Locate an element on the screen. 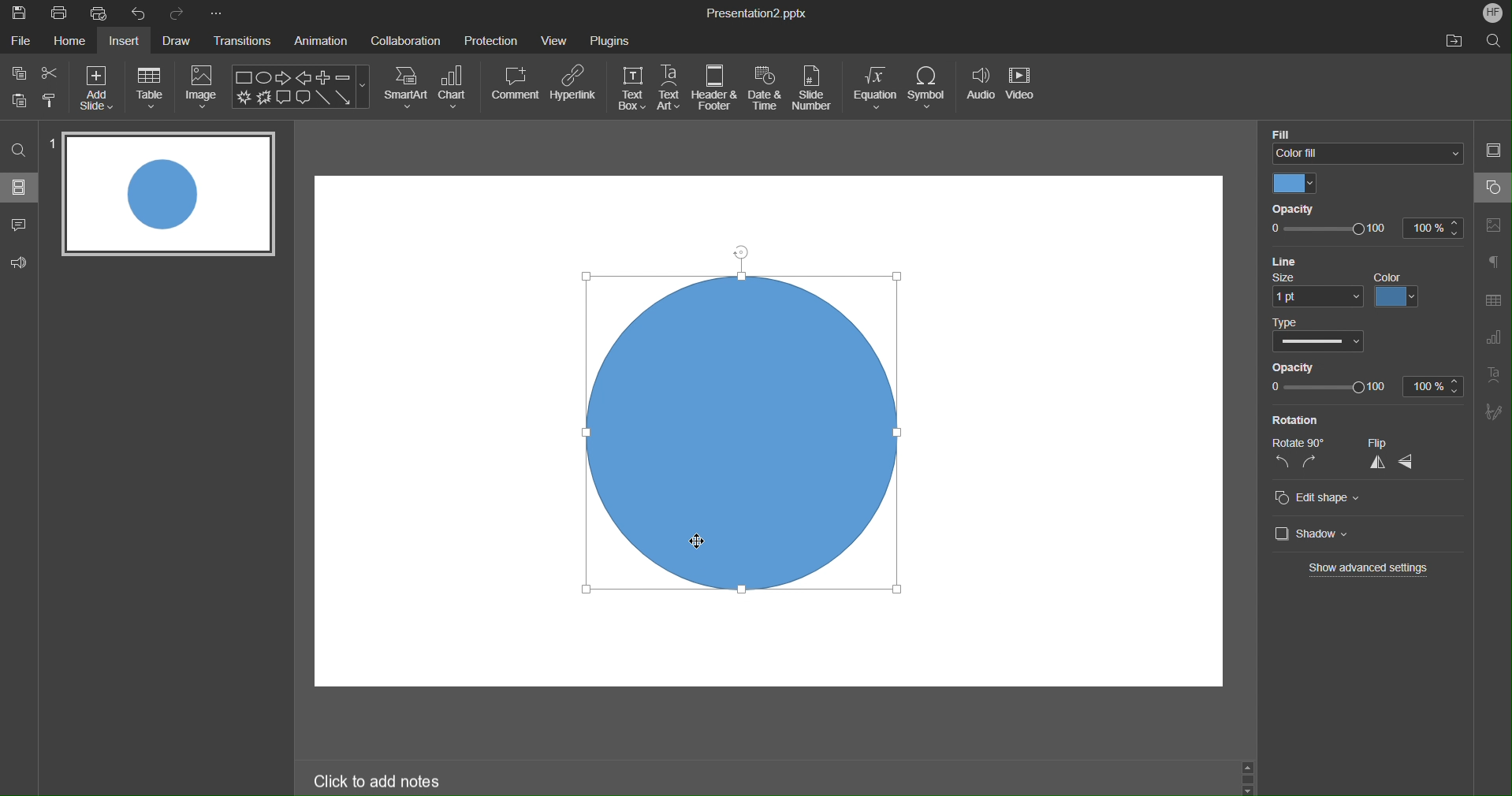  Shadow is located at coordinates (1307, 534).